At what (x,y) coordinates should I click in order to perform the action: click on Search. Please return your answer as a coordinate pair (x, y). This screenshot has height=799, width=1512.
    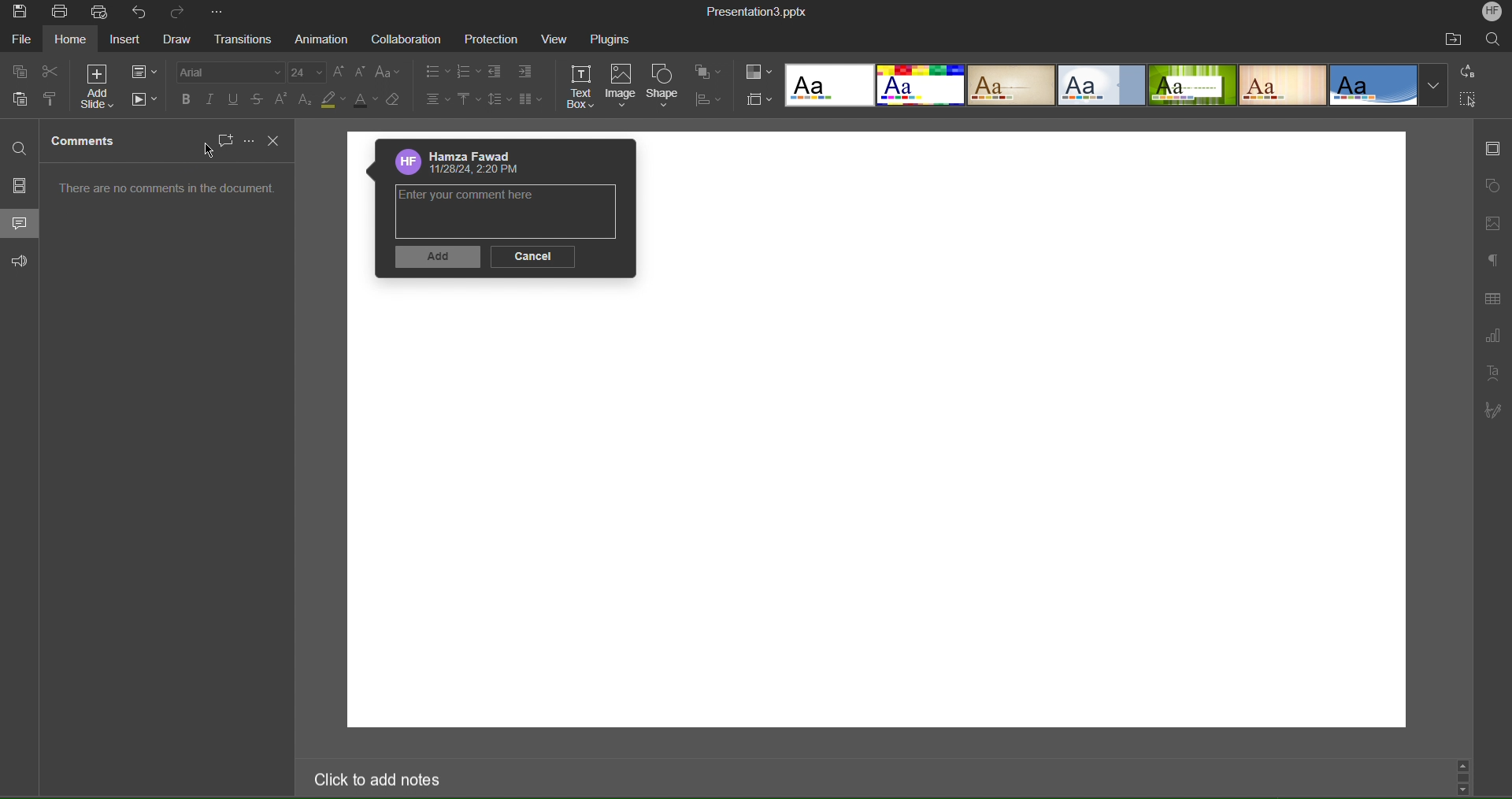
    Looking at the image, I should click on (1494, 40).